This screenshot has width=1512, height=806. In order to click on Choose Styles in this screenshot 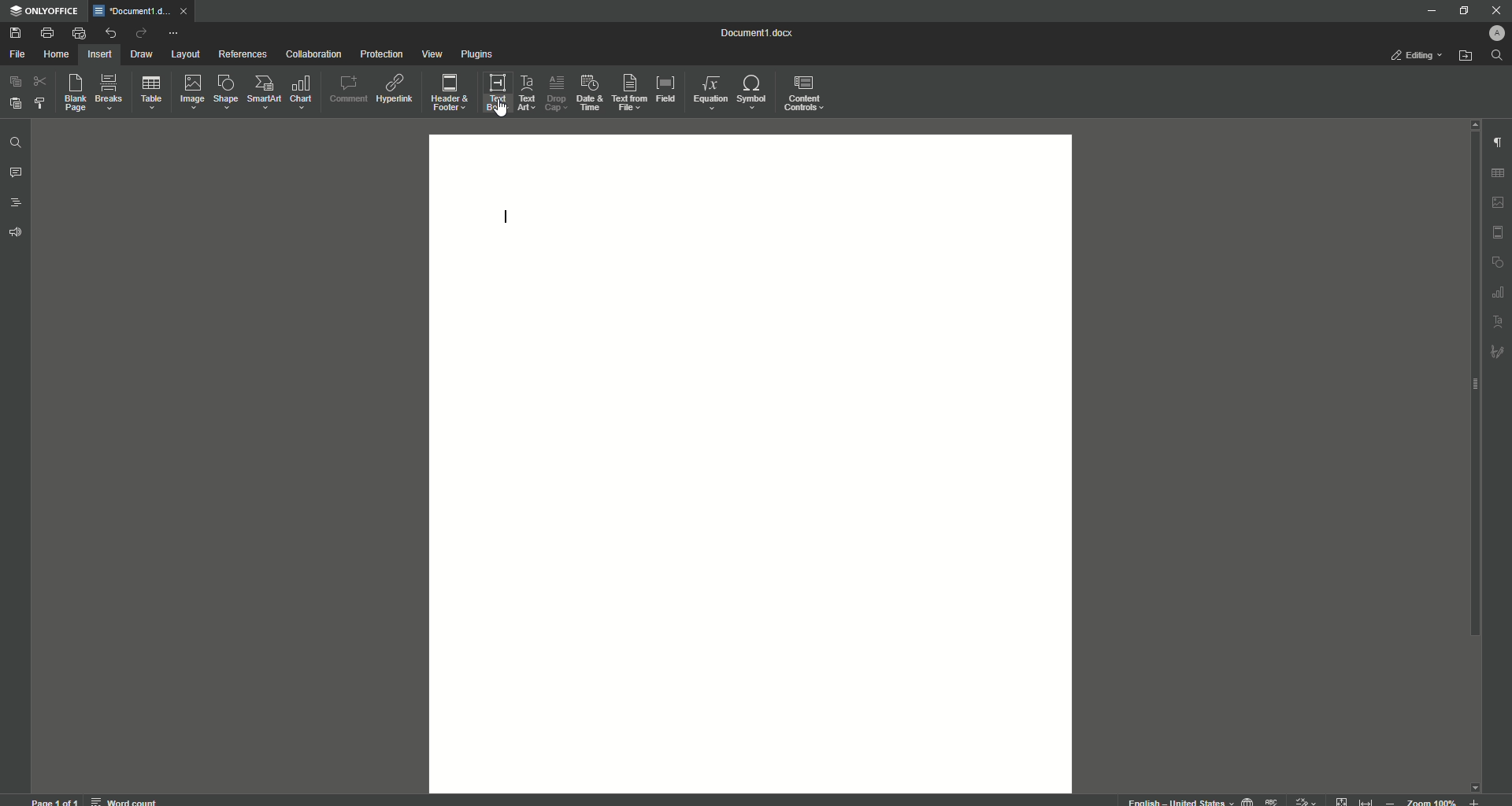, I will do `click(41, 102)`.